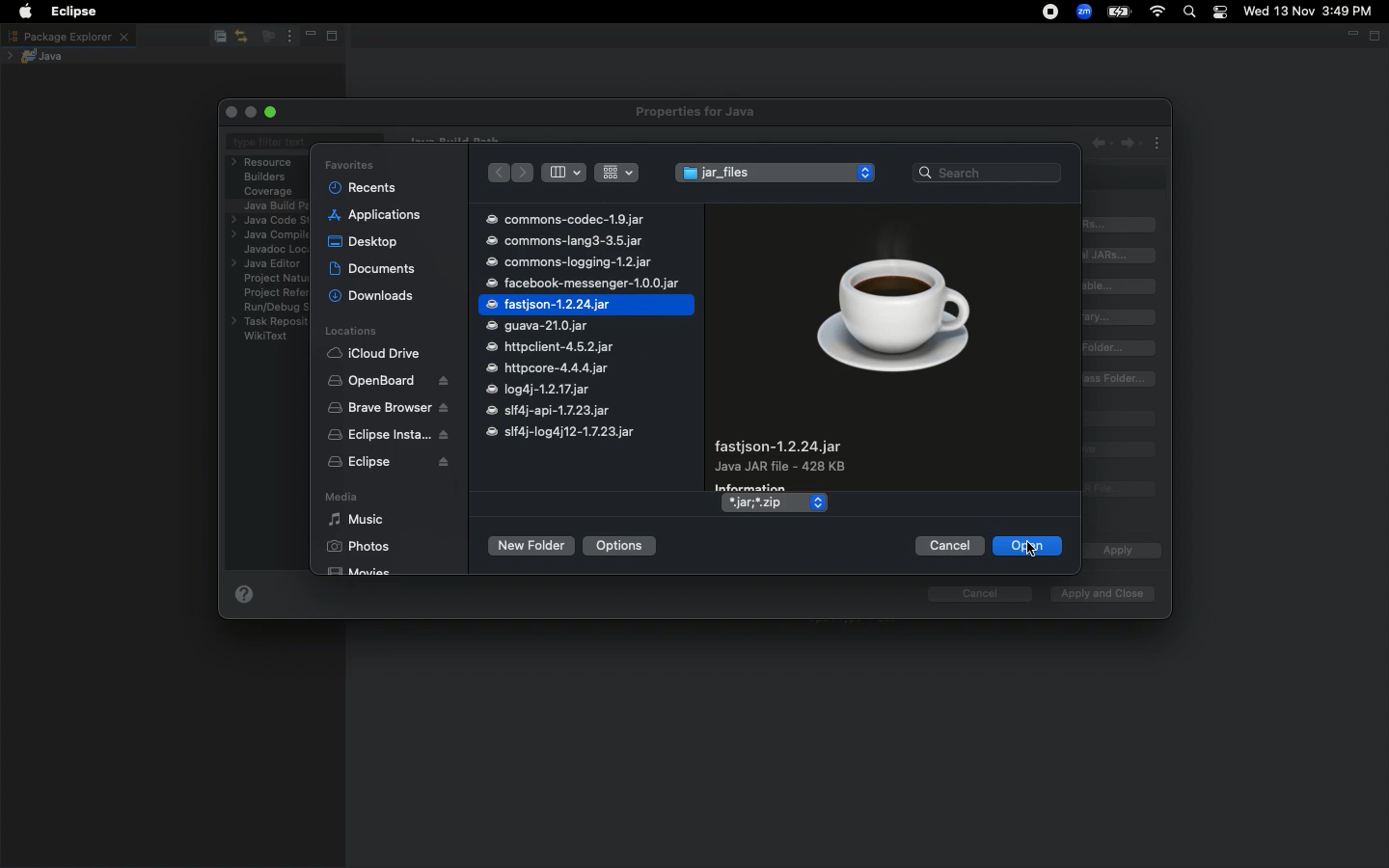 The width and height of the screenshot is (1389, 868). I want to click on Add external class folder, so click(1120, 379).